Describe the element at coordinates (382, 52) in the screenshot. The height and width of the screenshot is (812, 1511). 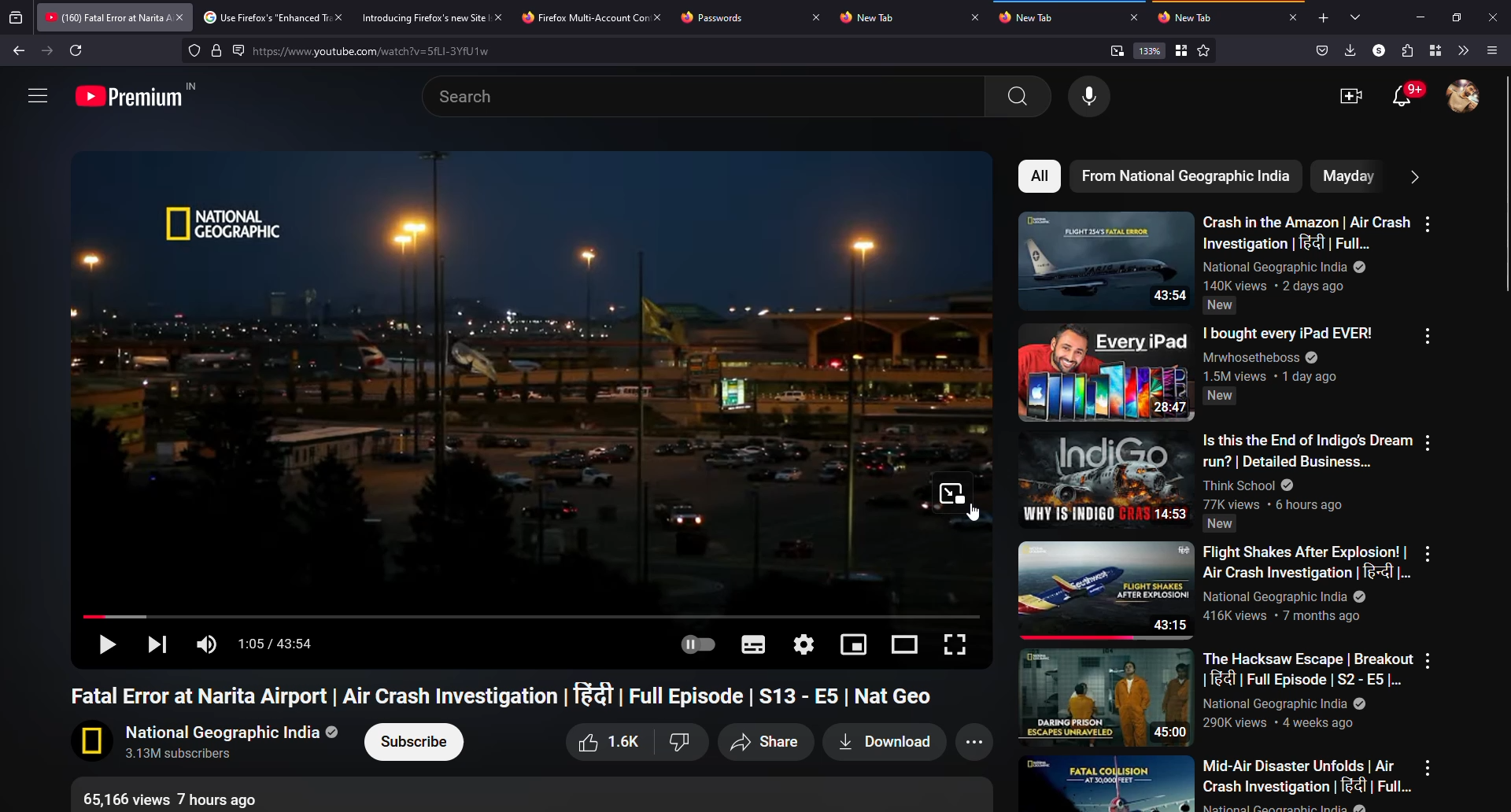
I see `search` at that location.